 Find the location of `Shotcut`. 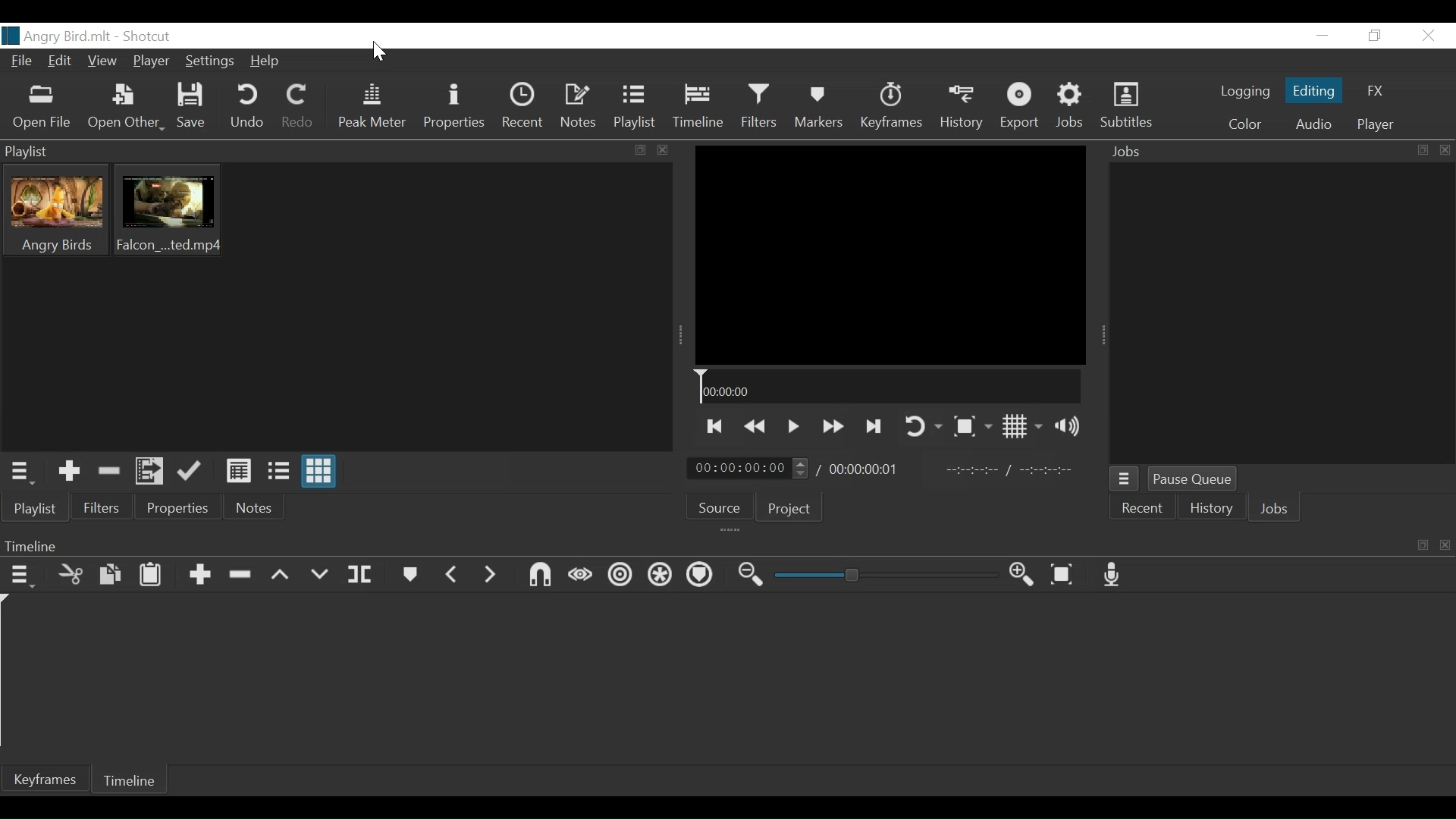

Shotcut is located at coordinates (145, 37).